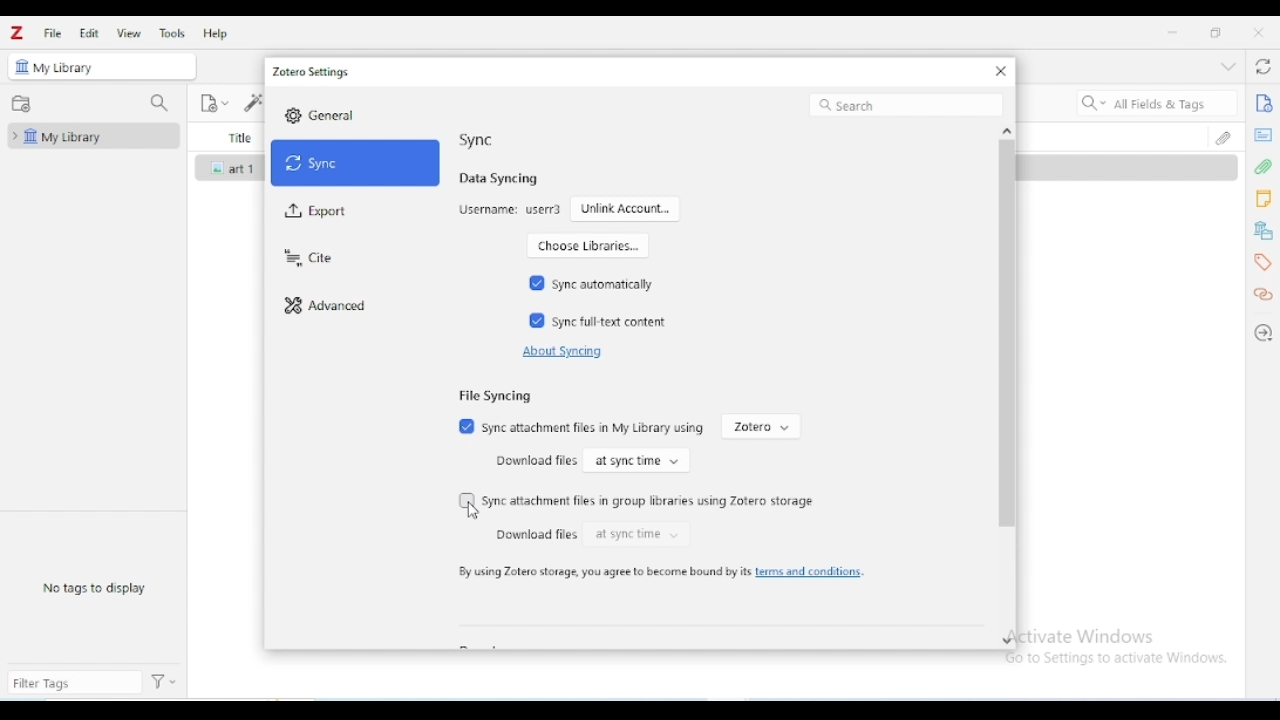 This screenshot has height=720, width=1280. What do you see at coordinates (510, 210) in the screenshot?
I see `username: user3` at bounding box center [510, 210].